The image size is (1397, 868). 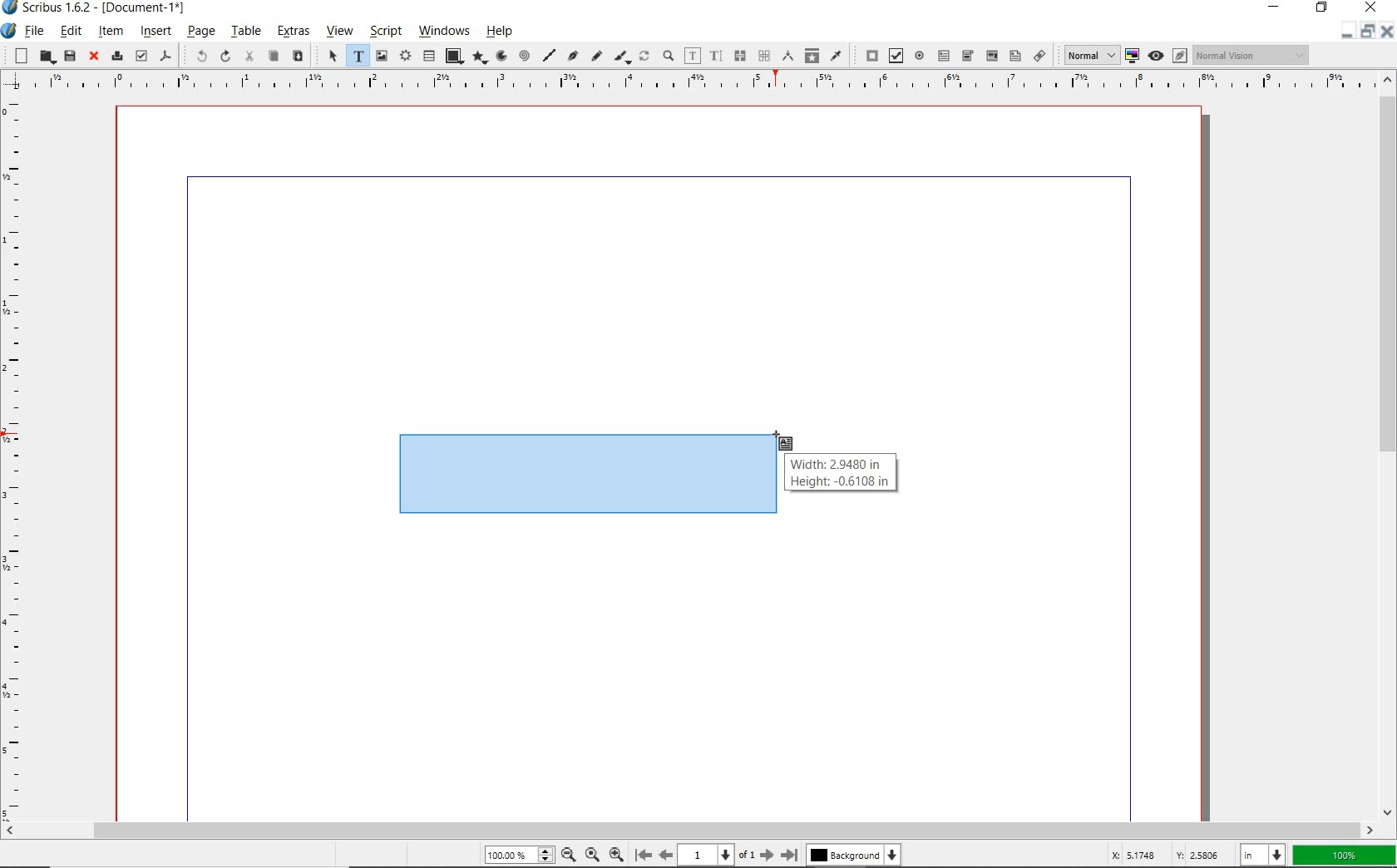 What do you see at coordinates (572, 57) in the screenshot?
I see `Bezier curve` at bounding box center [572, 57].